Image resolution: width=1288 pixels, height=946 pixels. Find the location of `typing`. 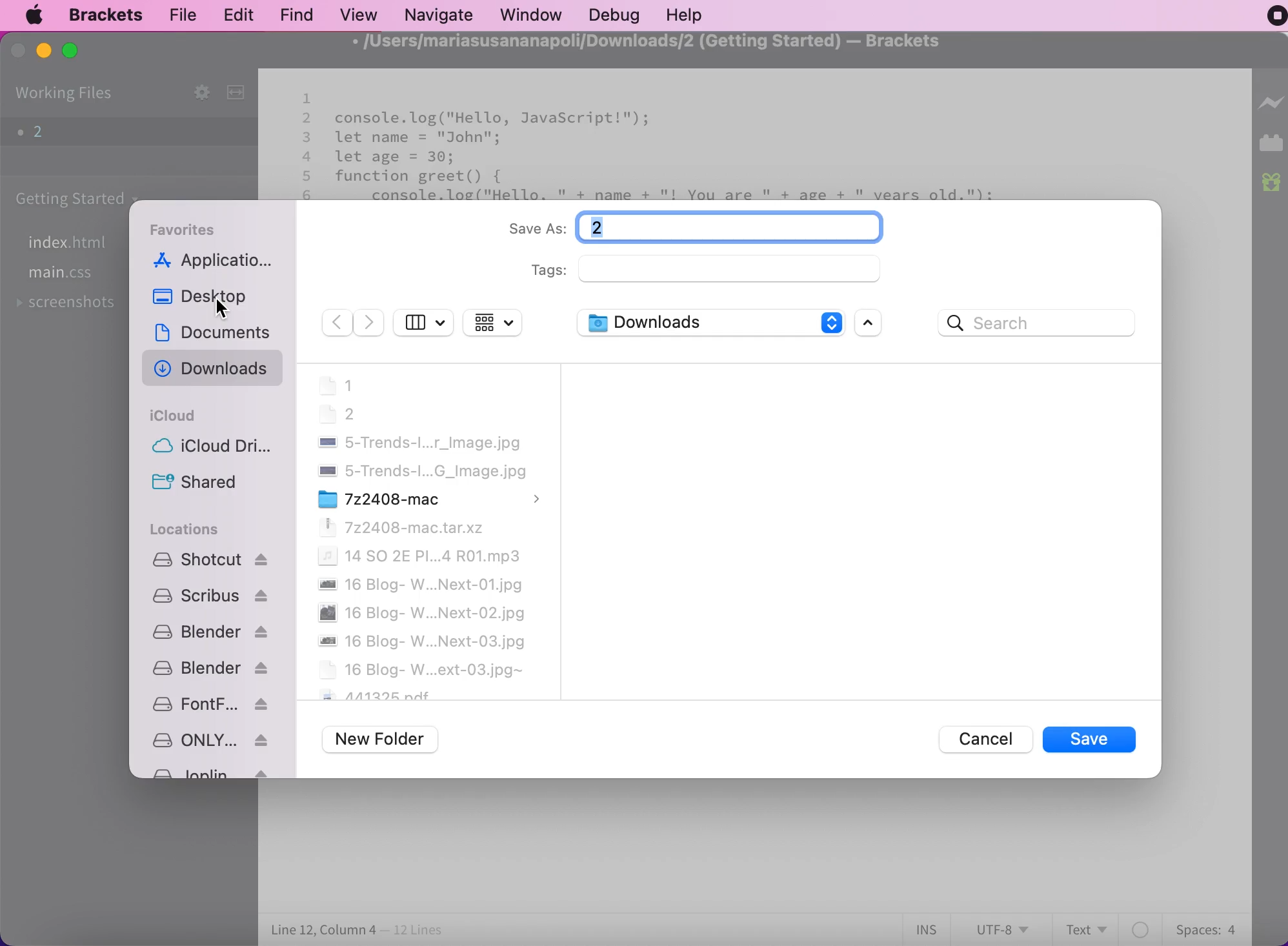

typing is located at coordinates (738, 228).